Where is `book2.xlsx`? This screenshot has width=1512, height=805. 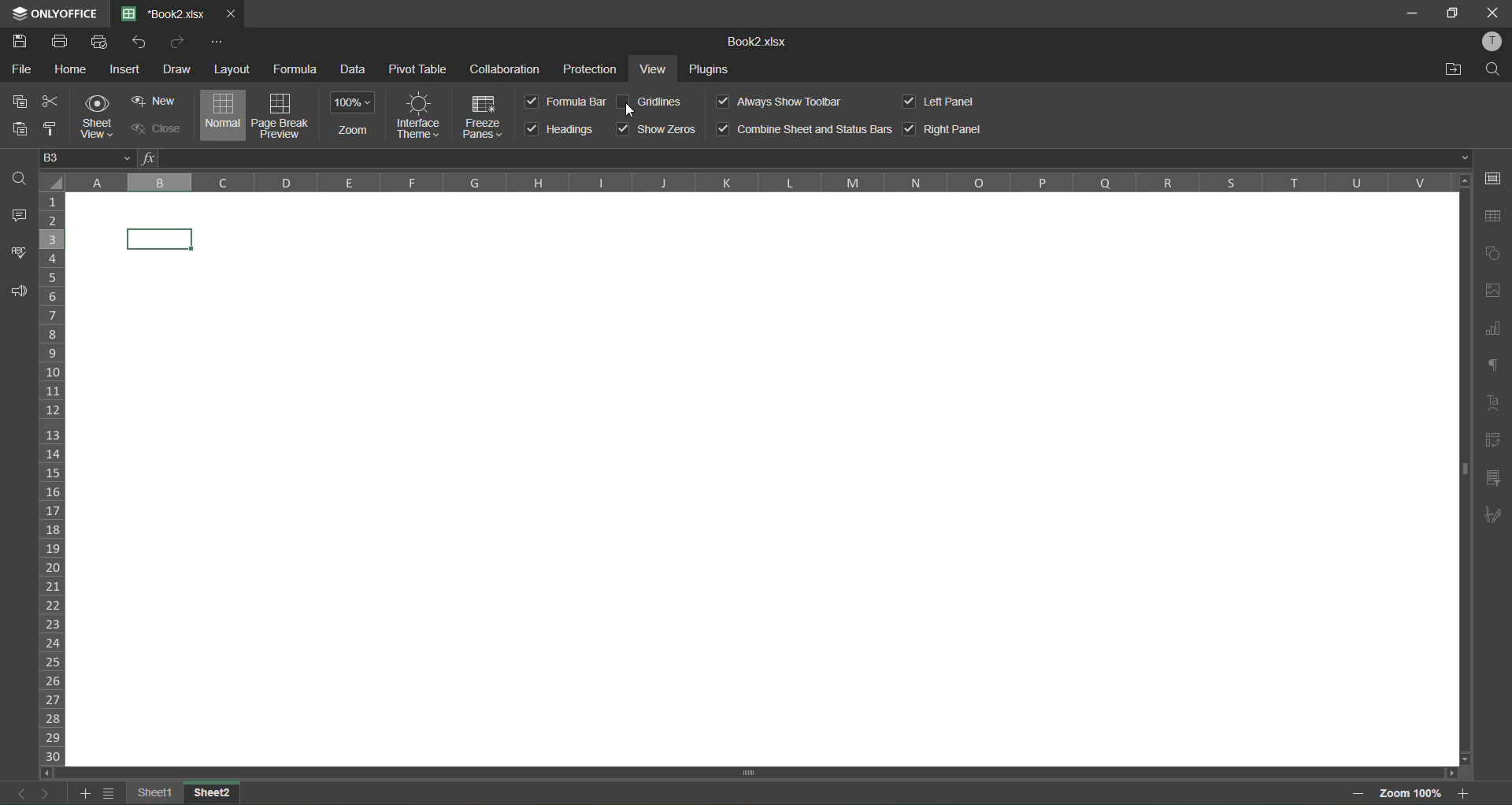
book2.xlsx is located at coordinates (165, 14).